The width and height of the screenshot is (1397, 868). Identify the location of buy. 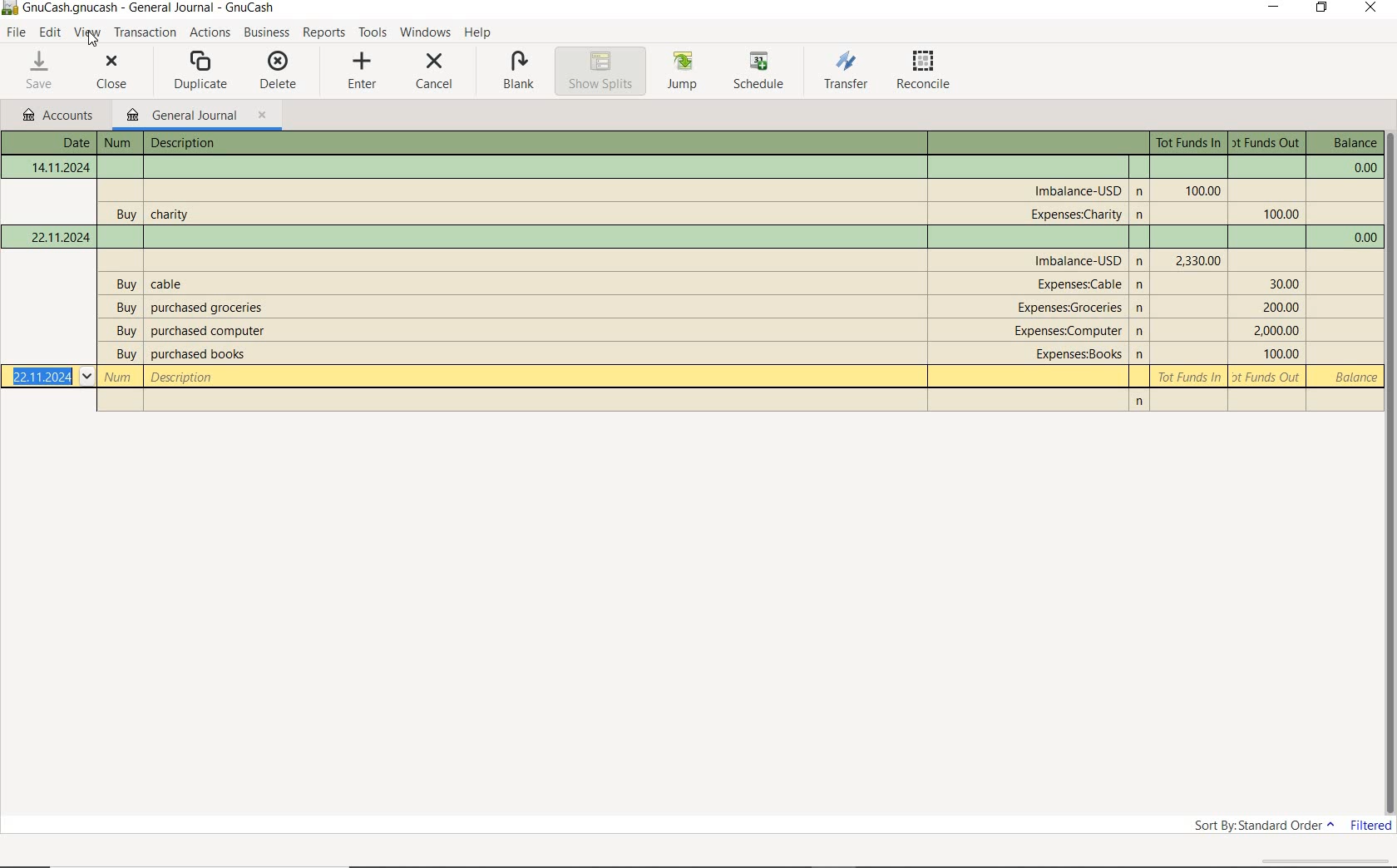
(127, 286).